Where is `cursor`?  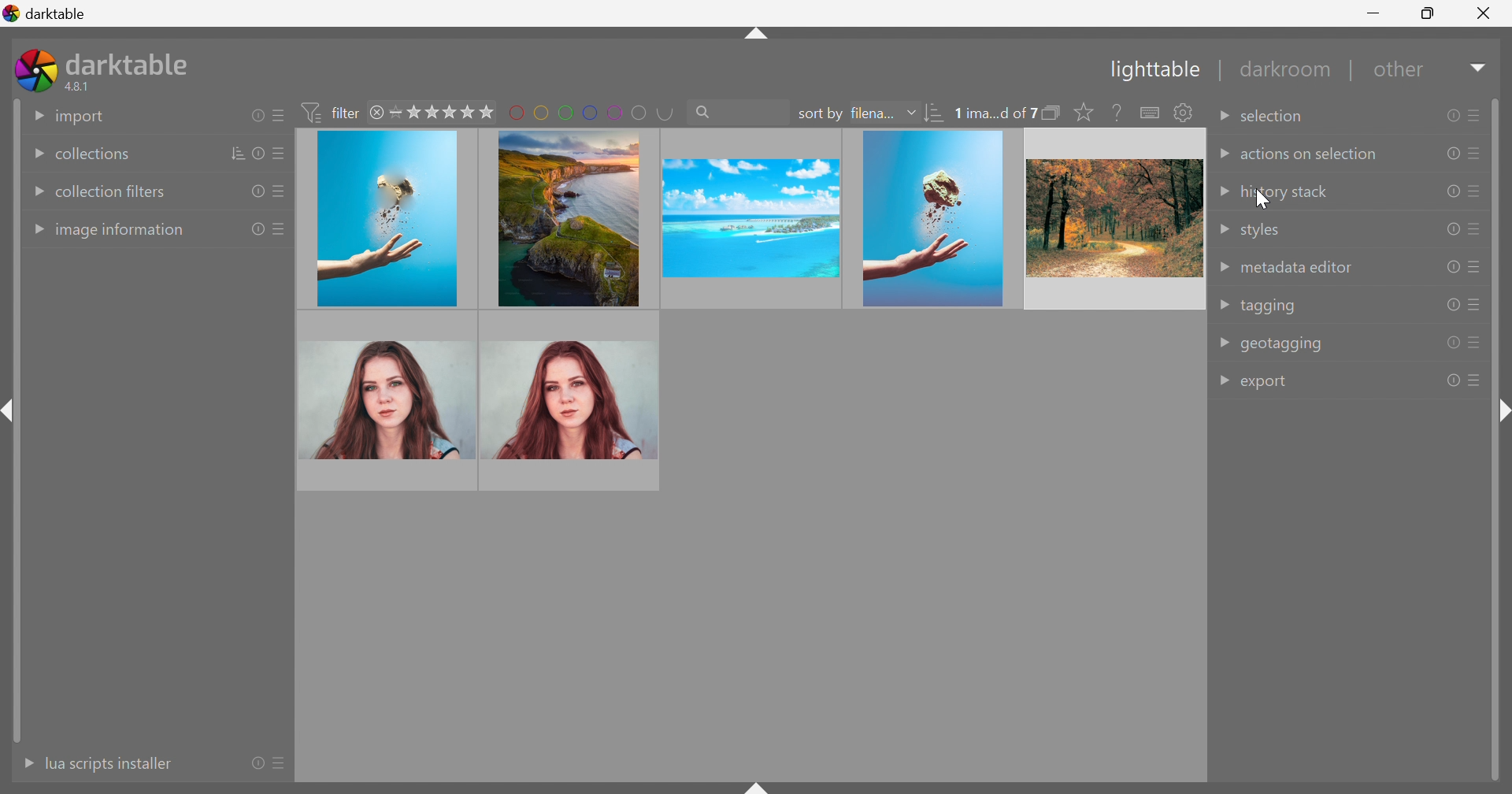
cursor is located at coordinates (1261, 201).